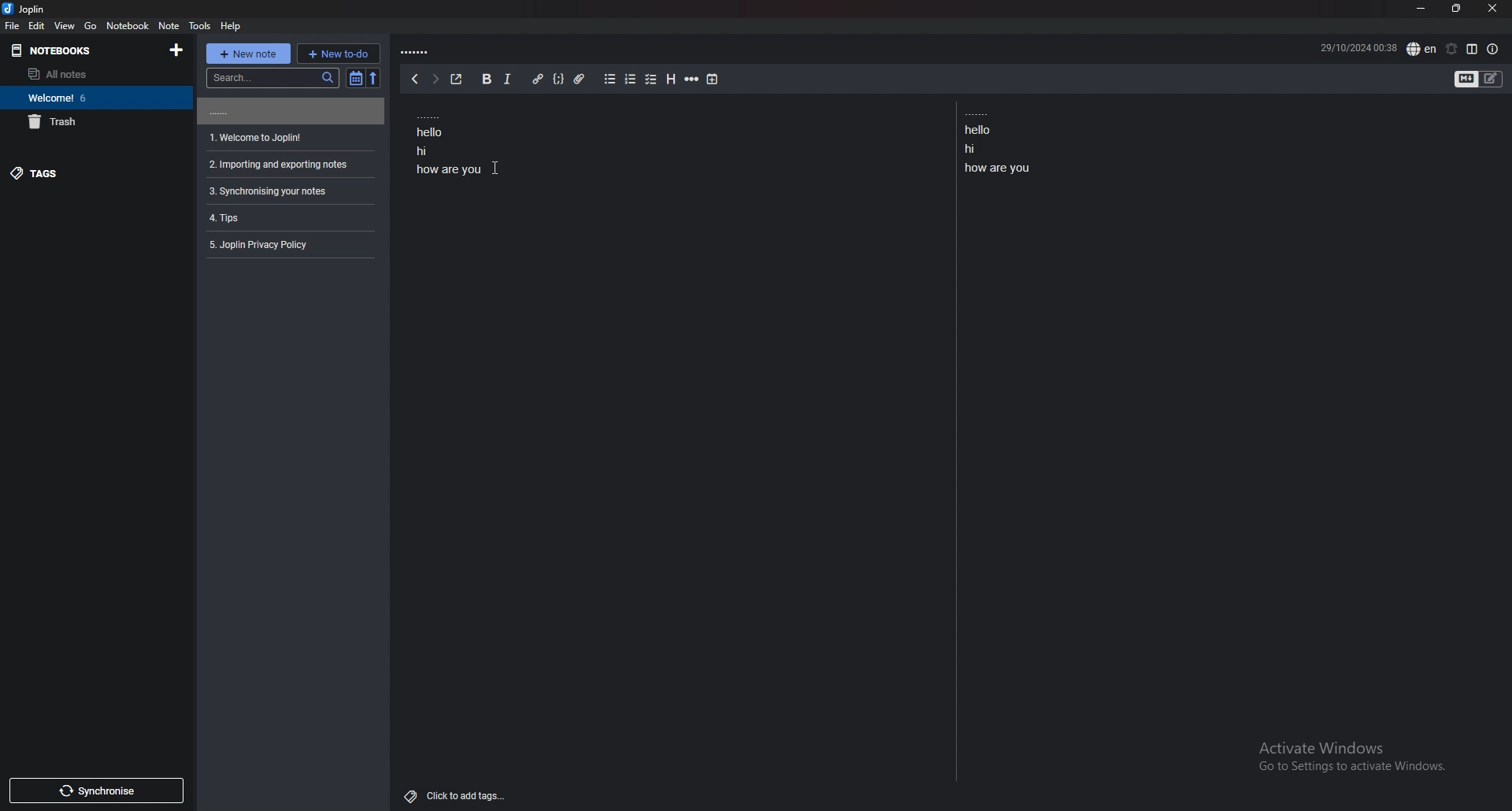 Image resolution: width=1512 pixels, height=811 pixels. Describe the element at coordinates (246, 54) in the screenshot. I see `new note` at that location.